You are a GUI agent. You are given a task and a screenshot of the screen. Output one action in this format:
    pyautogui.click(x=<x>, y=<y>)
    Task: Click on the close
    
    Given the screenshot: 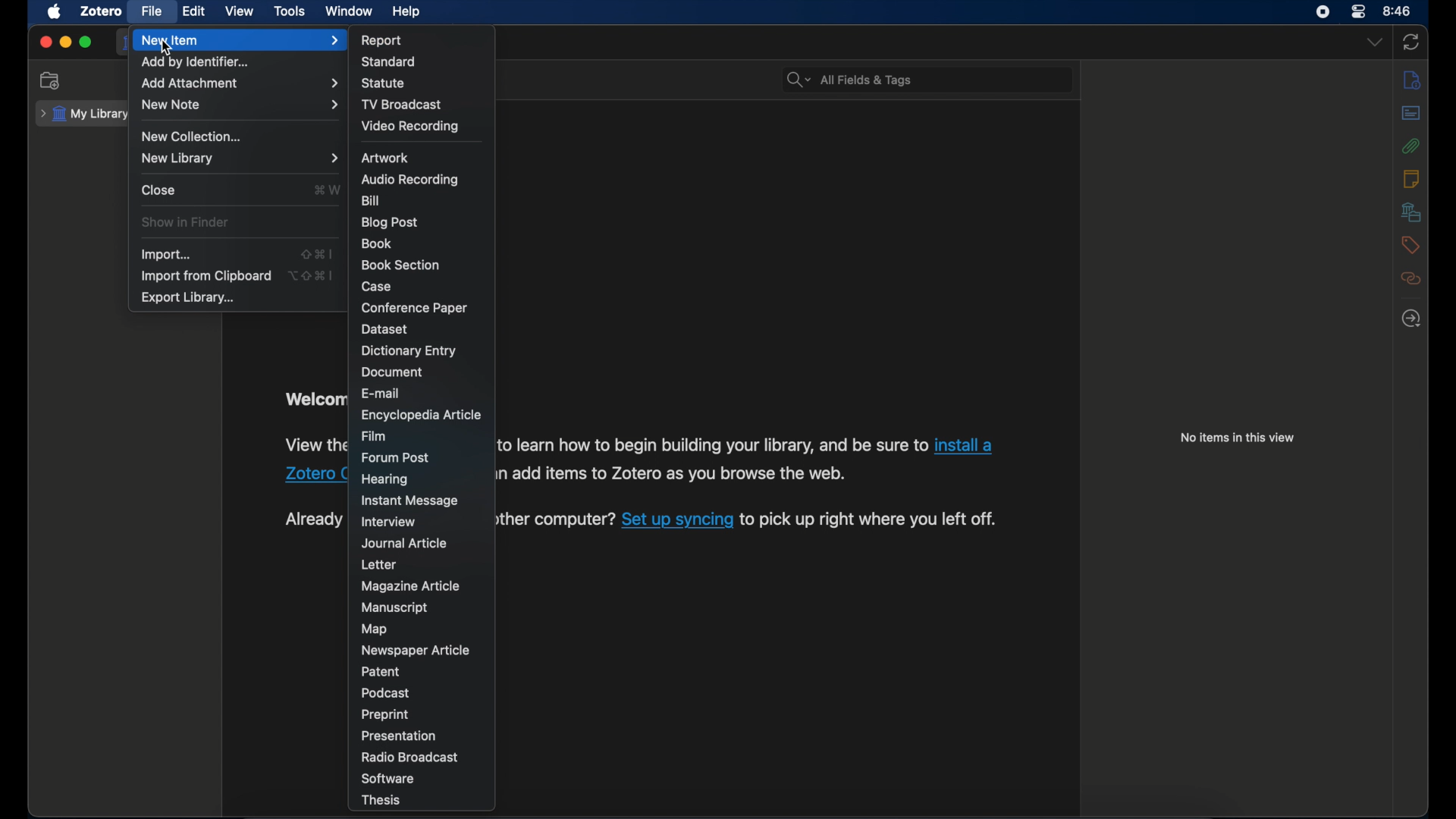 What is the action you would take?
    pyautogui.click(x=160, y=190)
    